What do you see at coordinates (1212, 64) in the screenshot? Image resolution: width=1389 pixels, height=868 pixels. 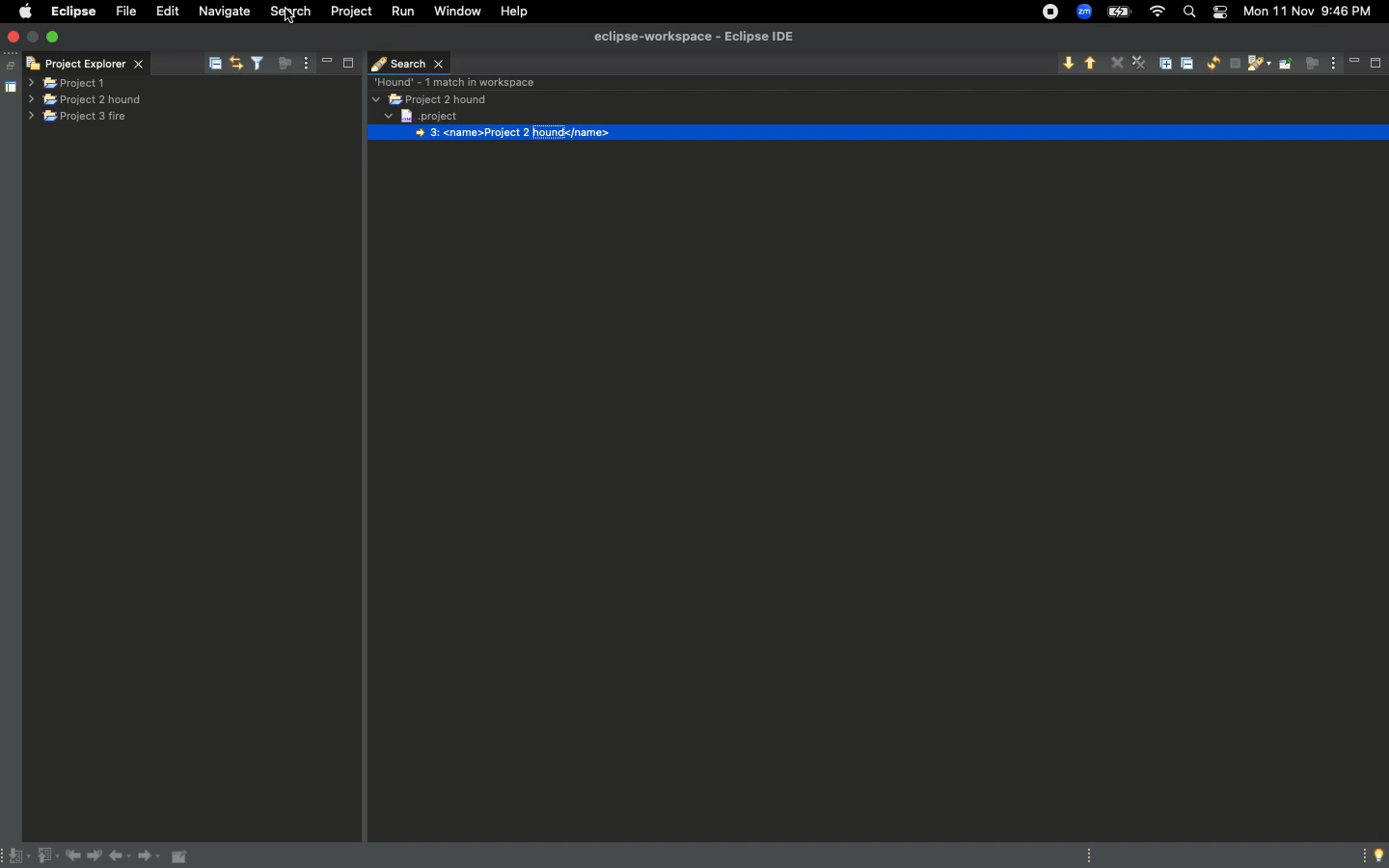 I see `Run the current search again` at bounding box center [1212, 64].